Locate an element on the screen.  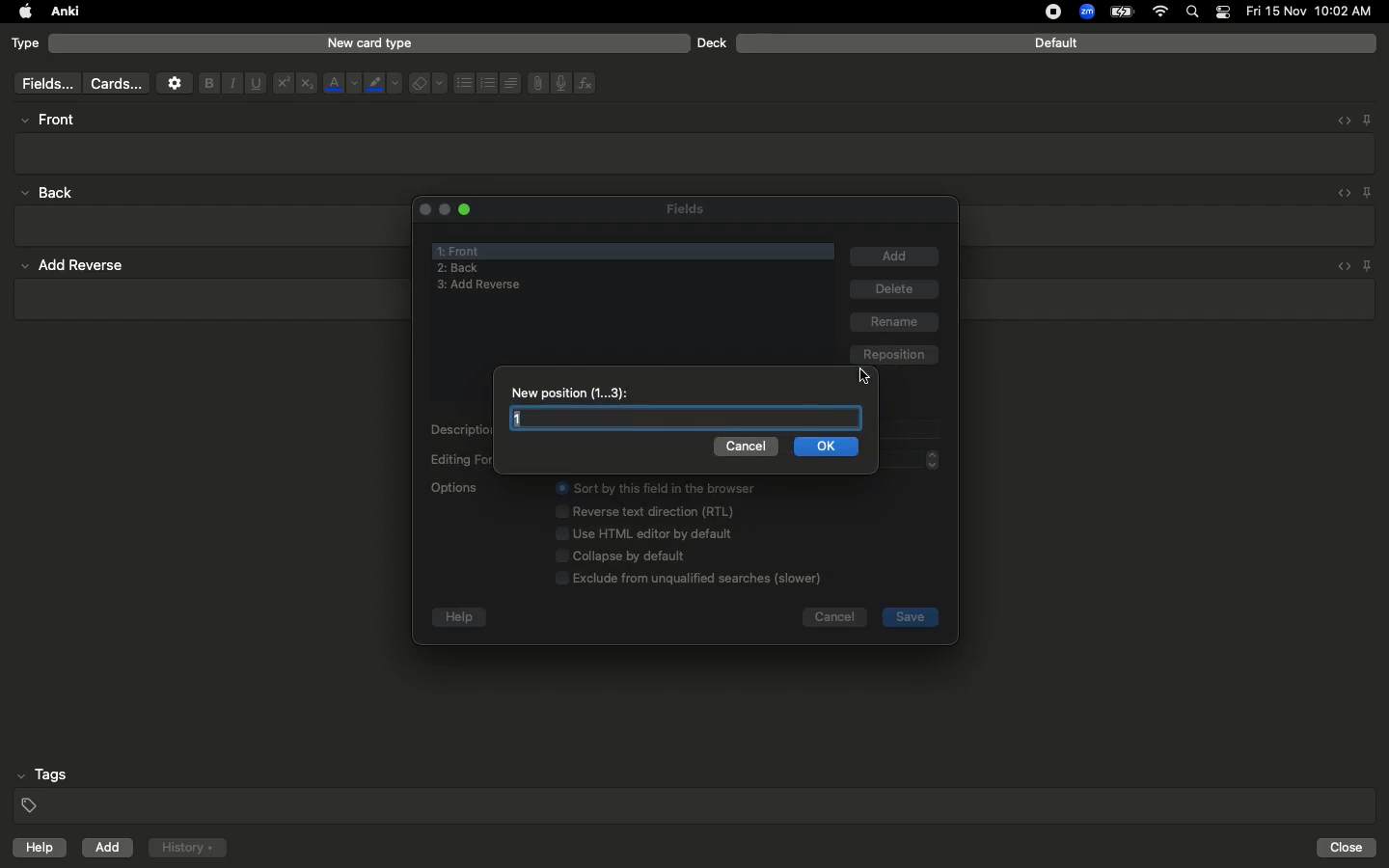
New card type is located at coordinates (368, 42).